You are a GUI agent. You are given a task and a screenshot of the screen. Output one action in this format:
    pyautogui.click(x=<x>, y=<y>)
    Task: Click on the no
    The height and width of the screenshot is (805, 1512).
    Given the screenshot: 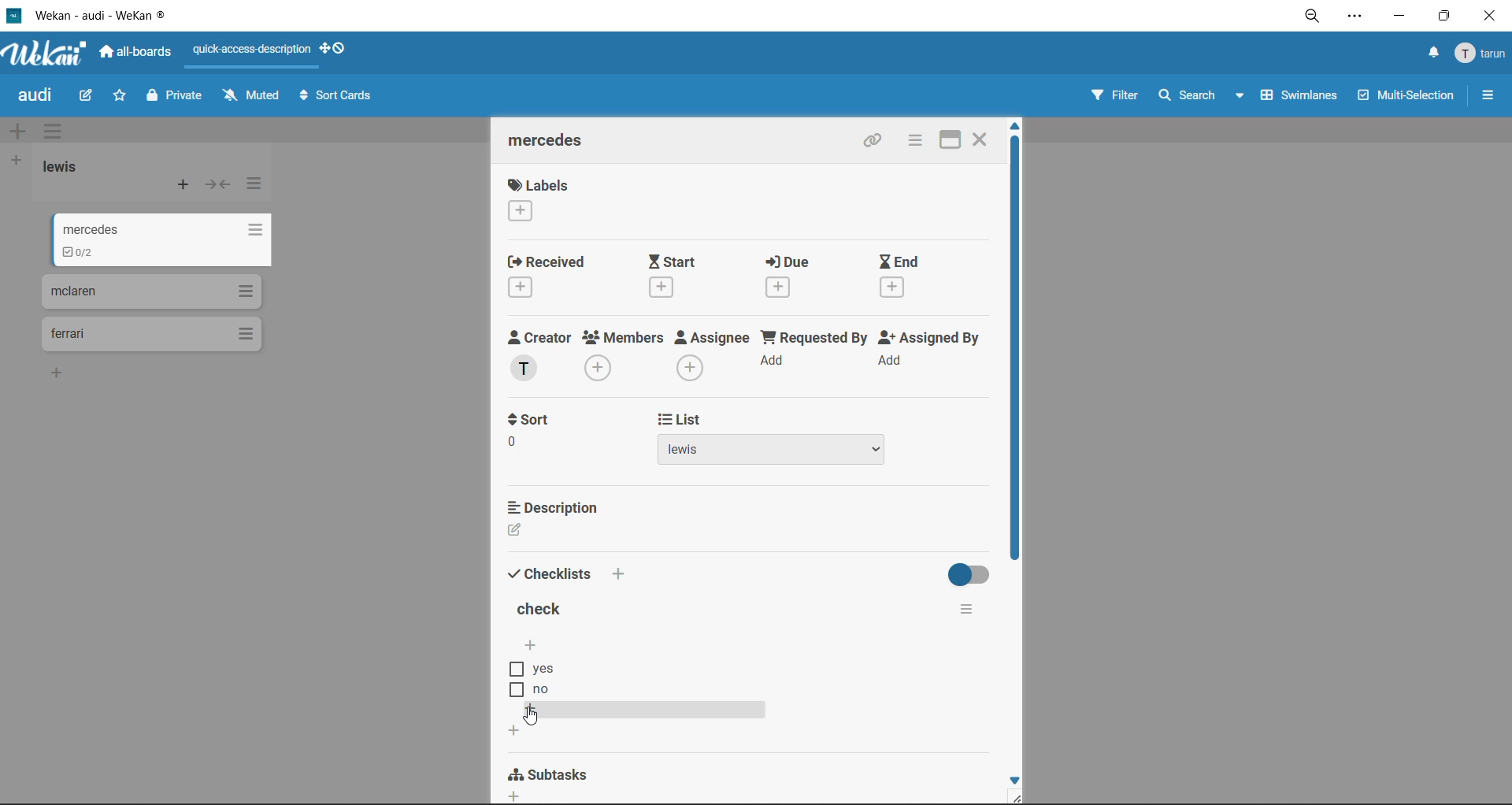 What is the action you would take?
    pyautogui.click(x=555, y=691)
    